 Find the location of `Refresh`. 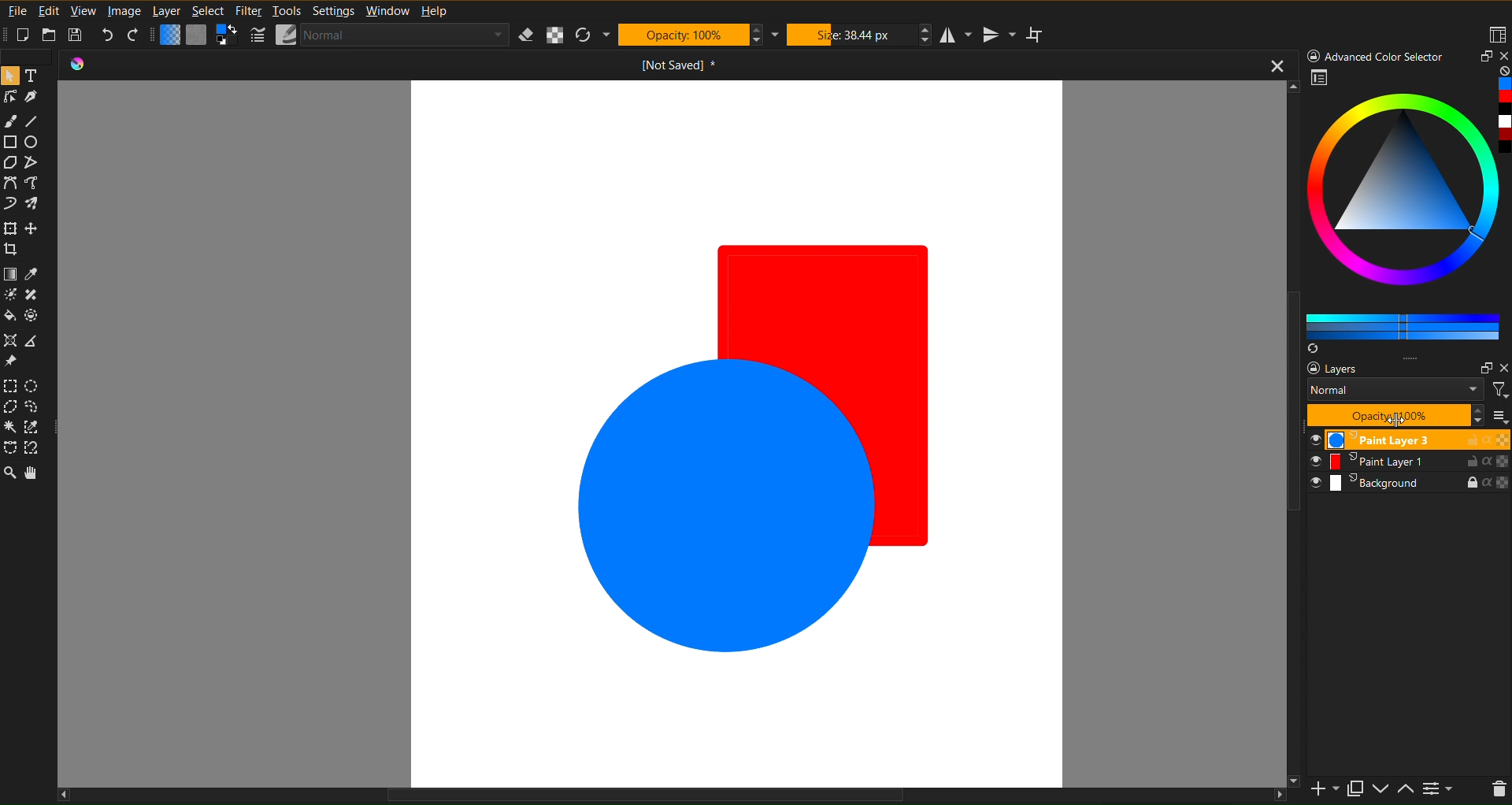

Refresh is located at coordinates (585, 35).